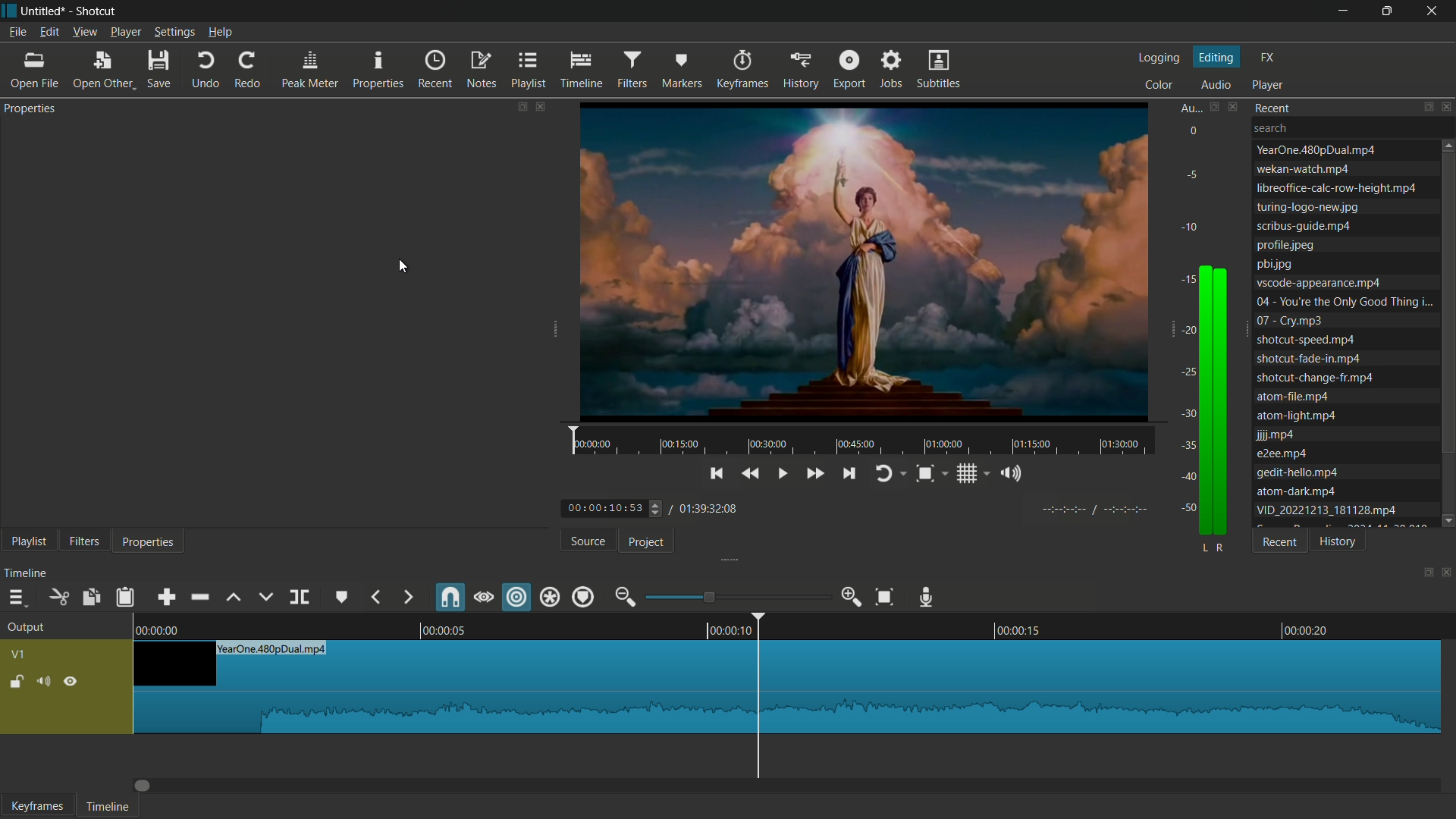 This screenshot has width=1456, height=819. What do you see at coordinates (124, 596) in the screenshot?
I see `paste` at bounding box center [124, 596].